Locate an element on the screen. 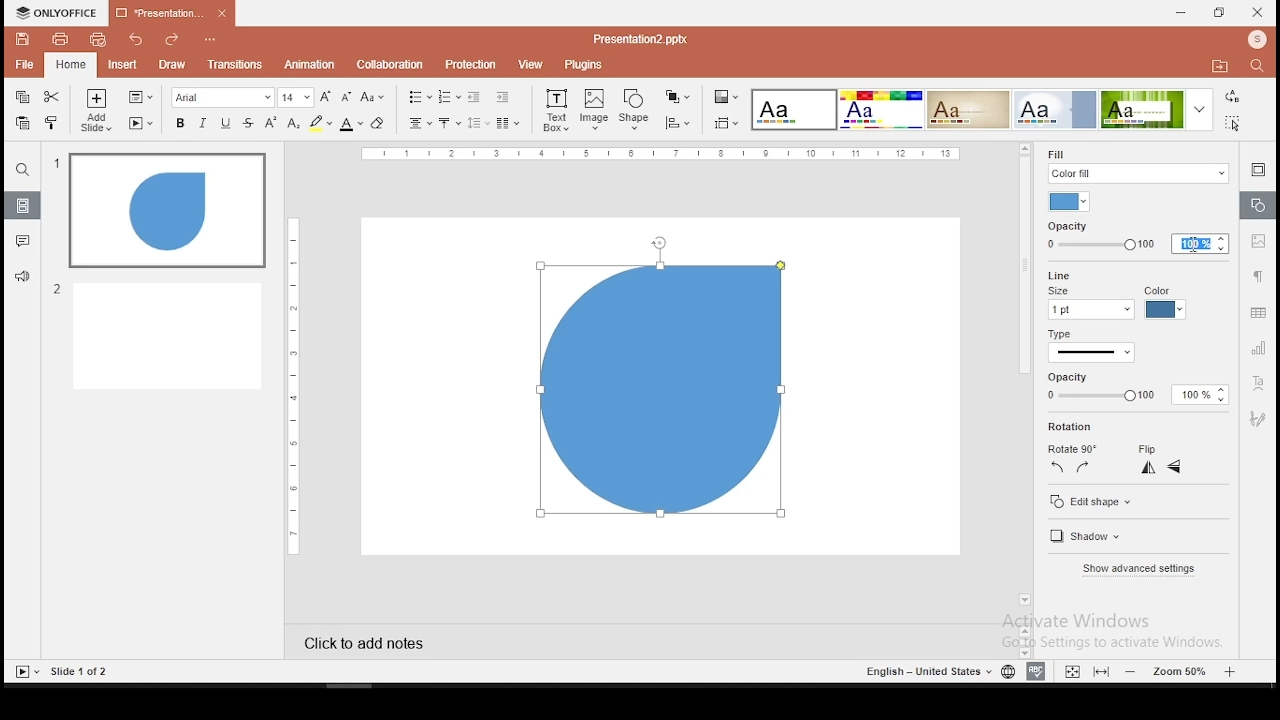  profile is located at coordinates (1255, 39).